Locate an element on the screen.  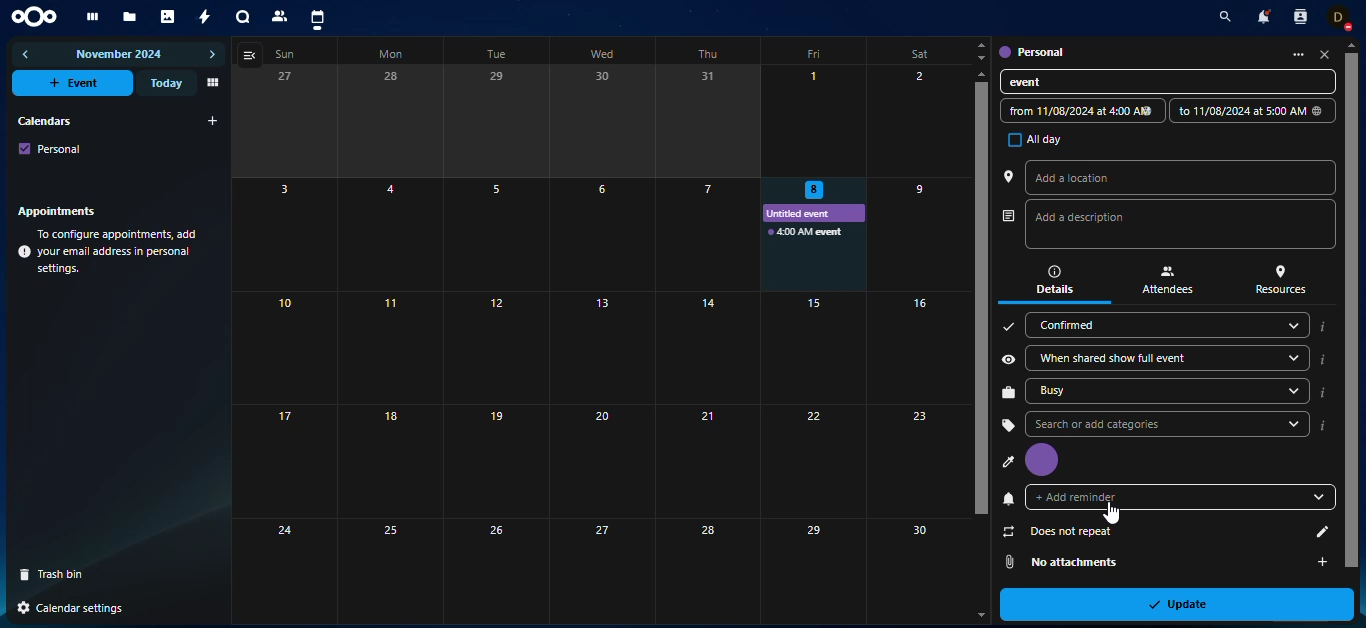
19 is located at coordinates (493, 462).